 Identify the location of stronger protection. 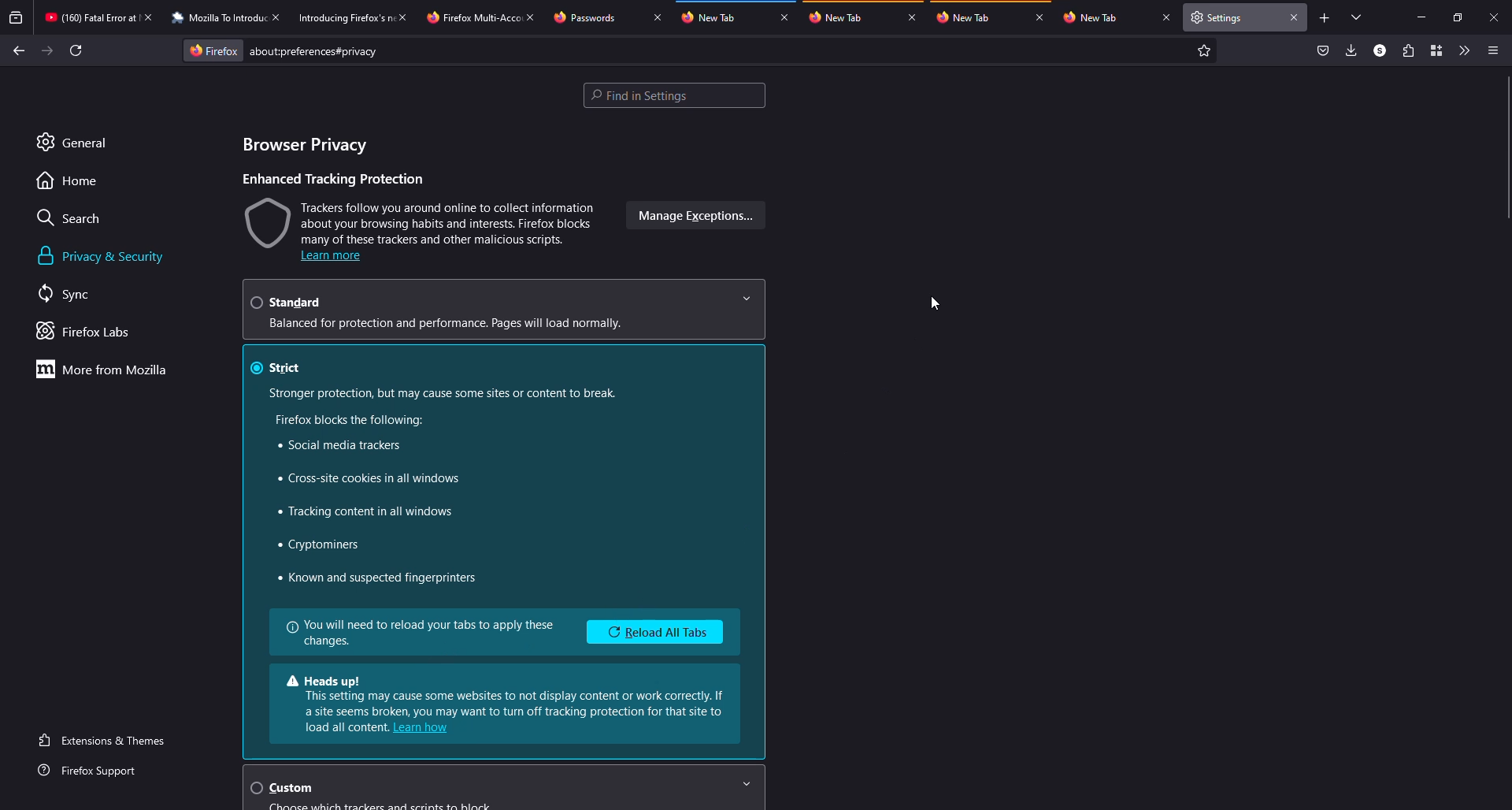
(443, 392).